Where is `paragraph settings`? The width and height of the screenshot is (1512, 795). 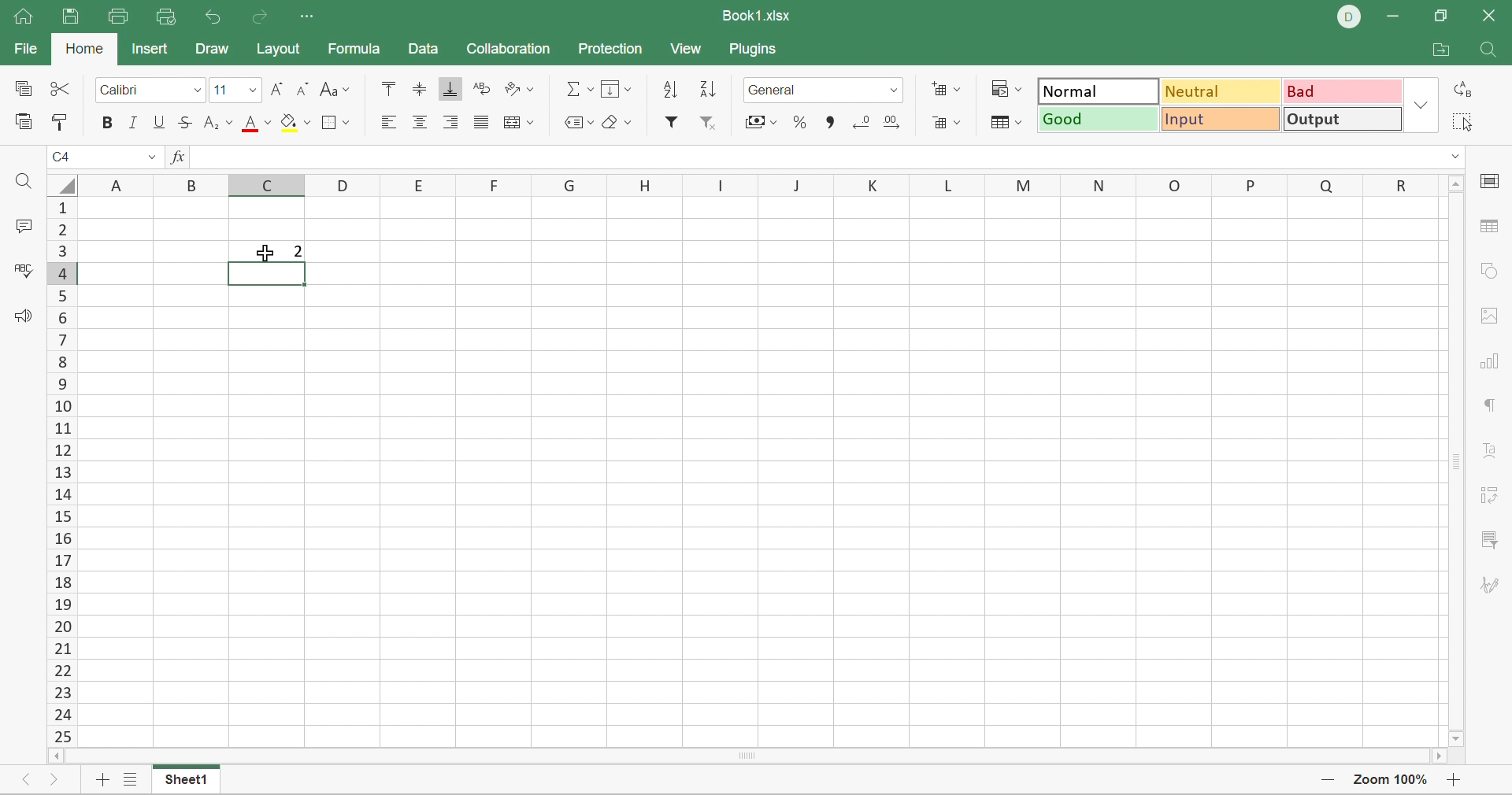
paragraph settings is located at coordinates (1495, 409).